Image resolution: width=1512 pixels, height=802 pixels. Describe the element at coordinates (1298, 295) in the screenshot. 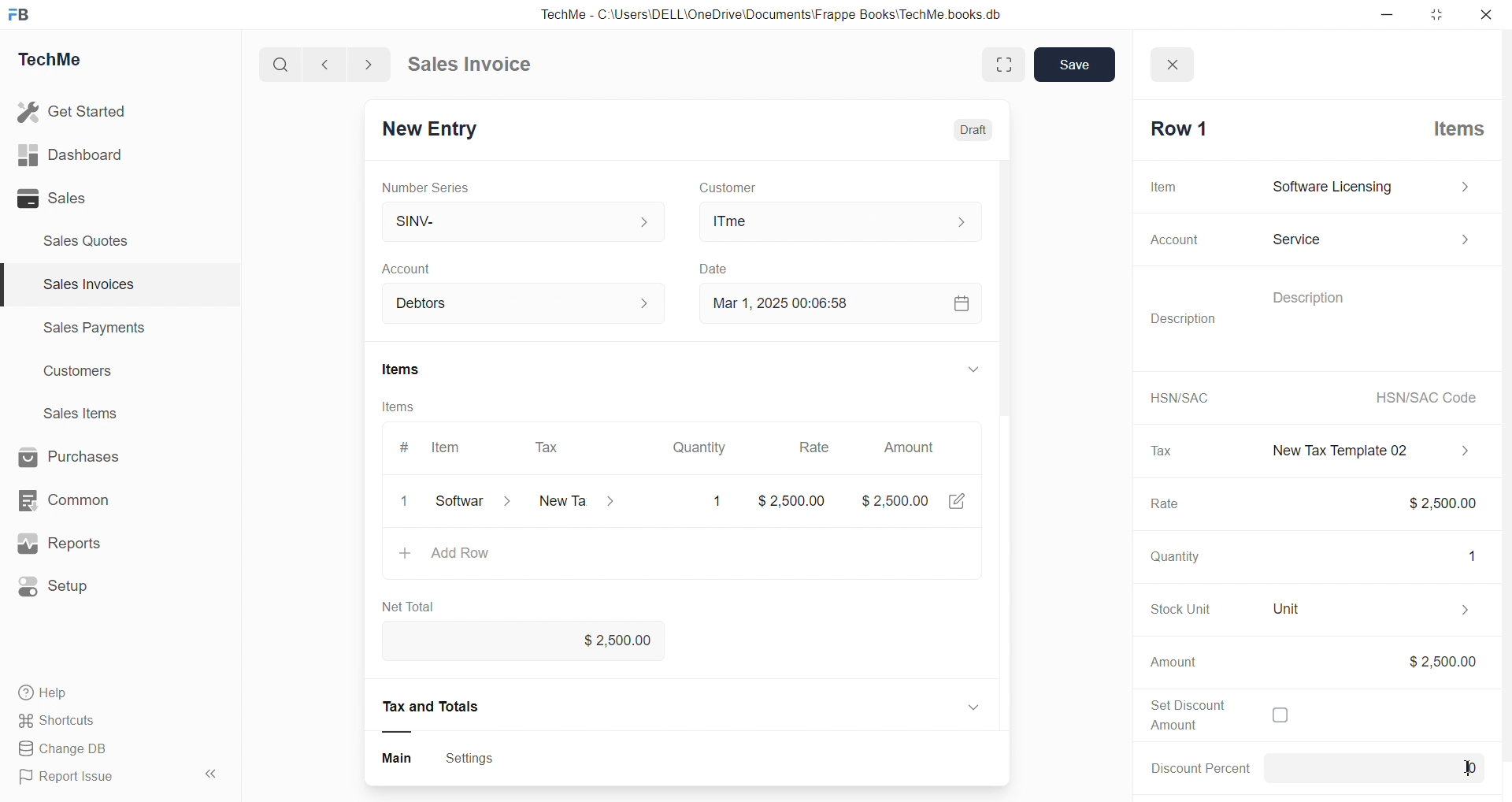

I see `Description` at that location.